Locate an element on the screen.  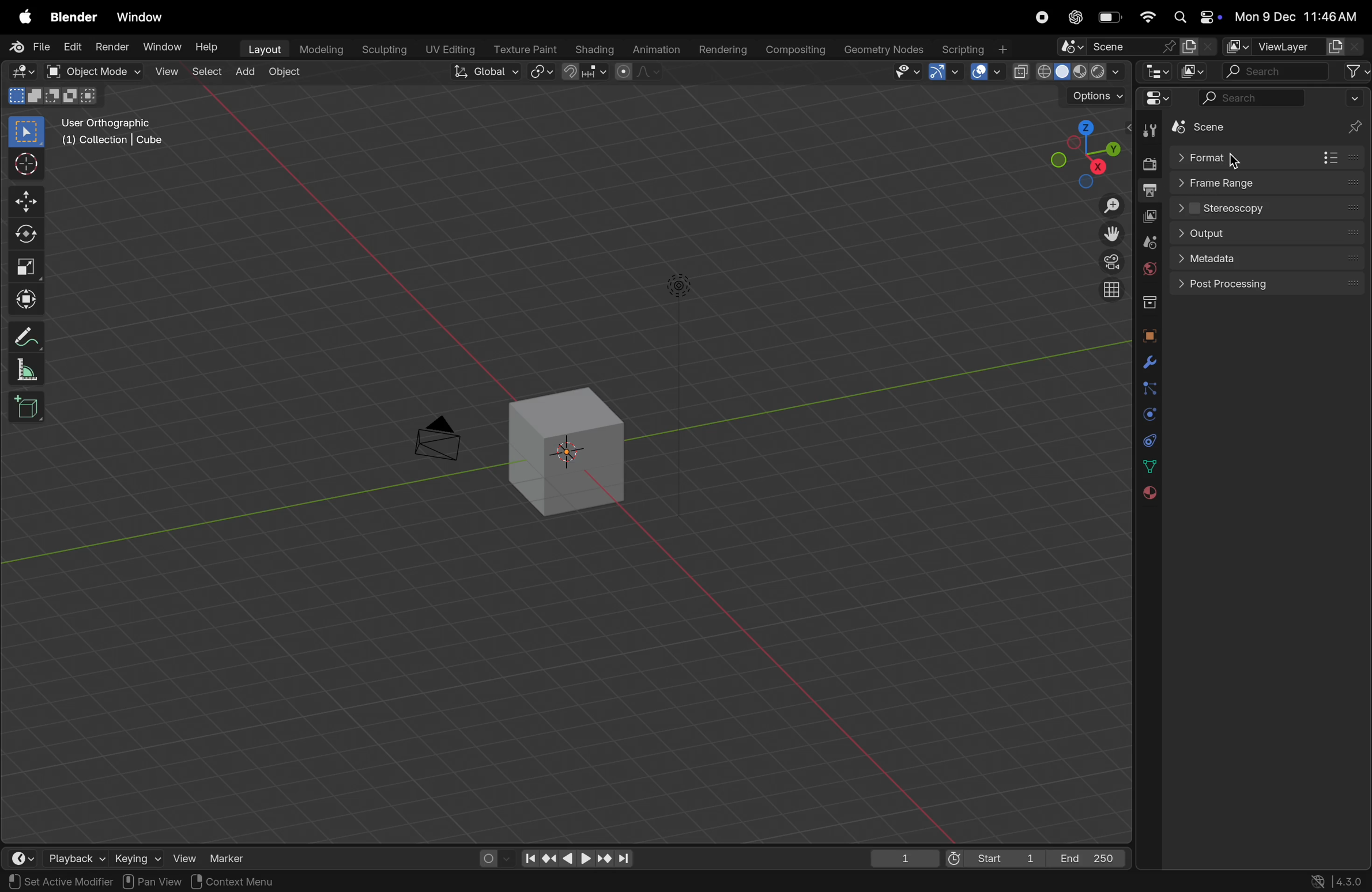
view port shading is located at coordinates (1068, 72).